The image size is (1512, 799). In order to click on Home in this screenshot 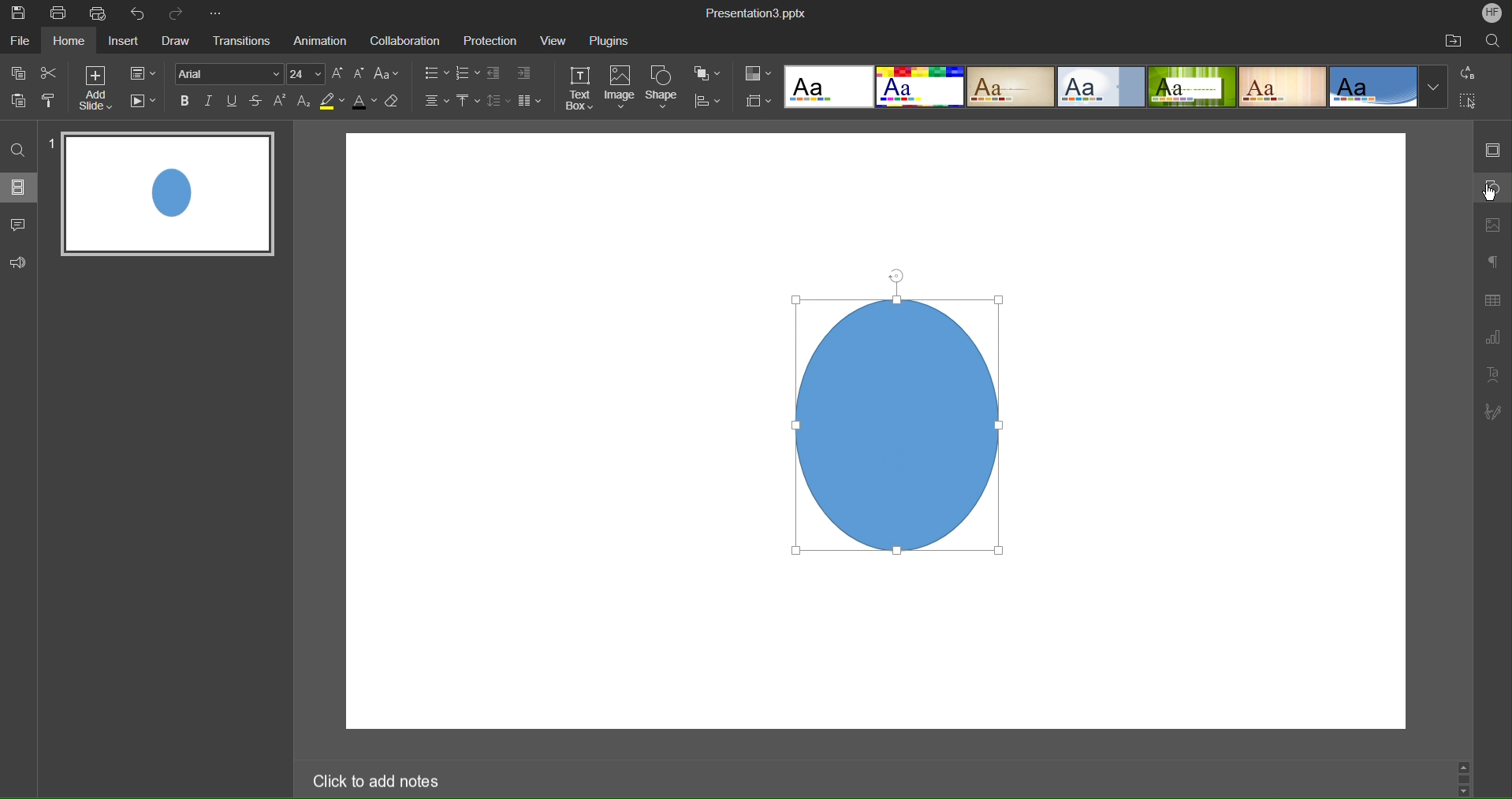, I will do `click(70, 41)`.